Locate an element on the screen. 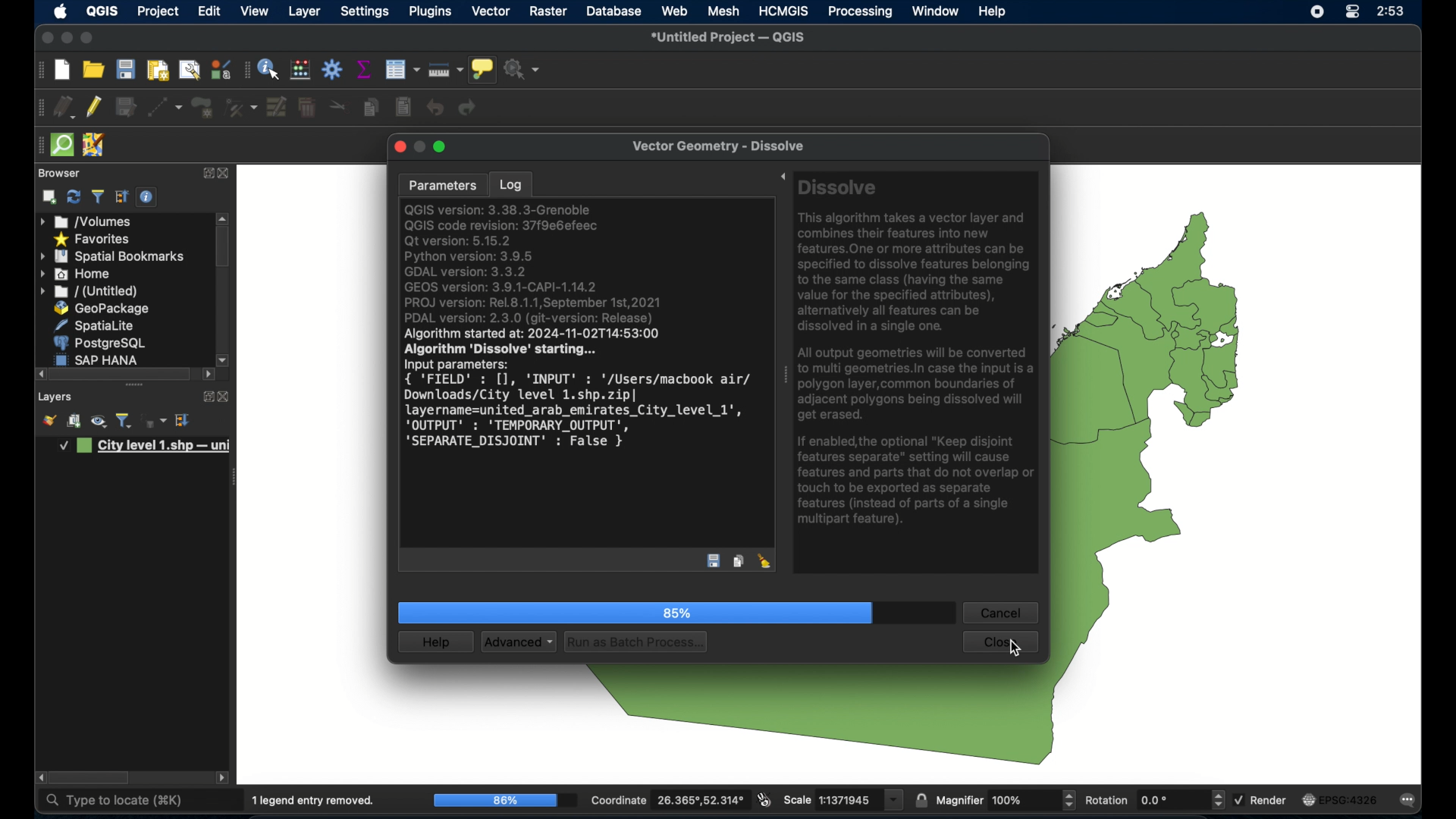  attribute table is located at coordinates (246, 71).